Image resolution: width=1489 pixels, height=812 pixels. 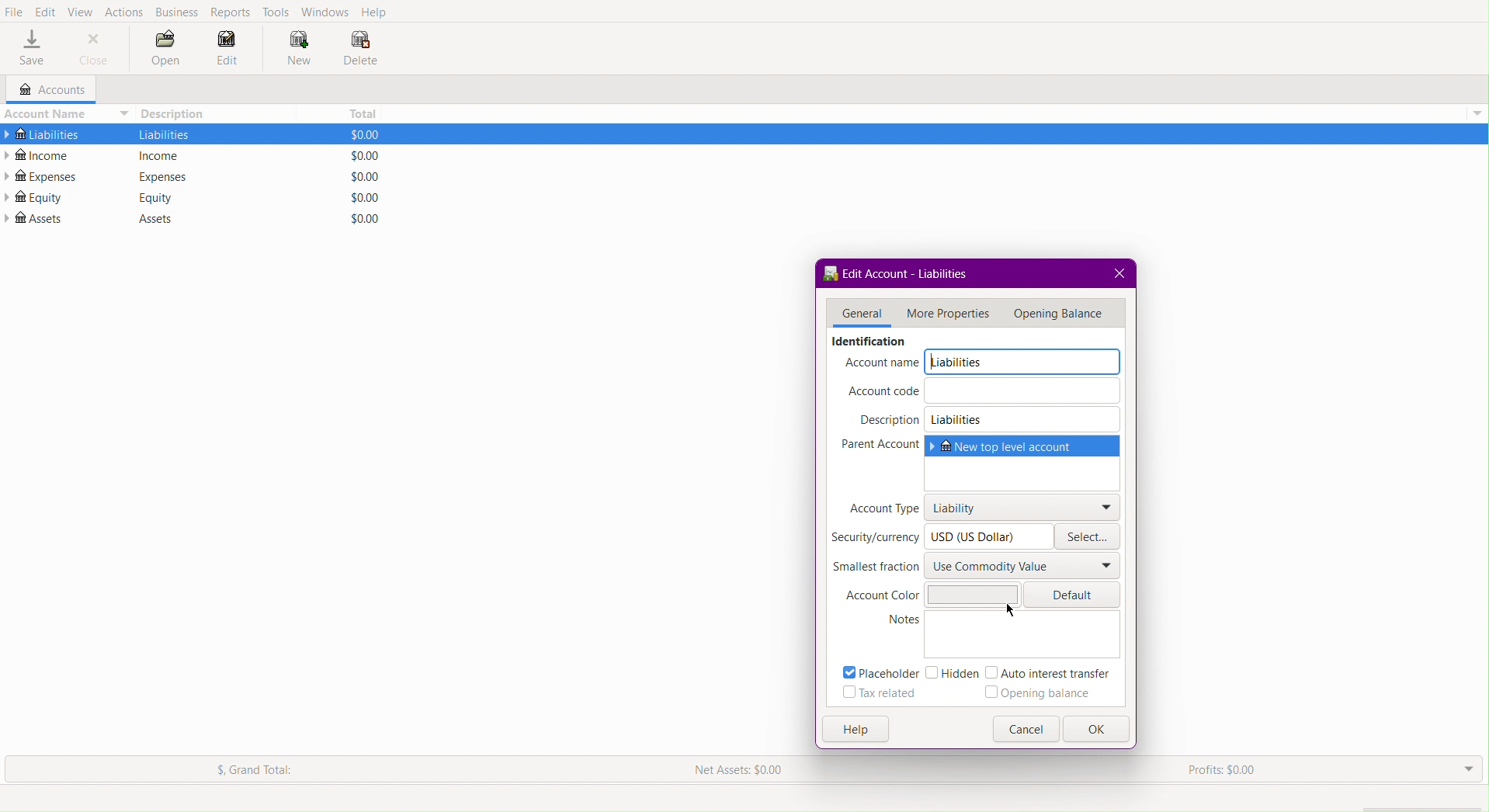 What do you see at coordinates (1071, 595) in the screenshot?
I see `Default` at bounding box center [1071, 595].